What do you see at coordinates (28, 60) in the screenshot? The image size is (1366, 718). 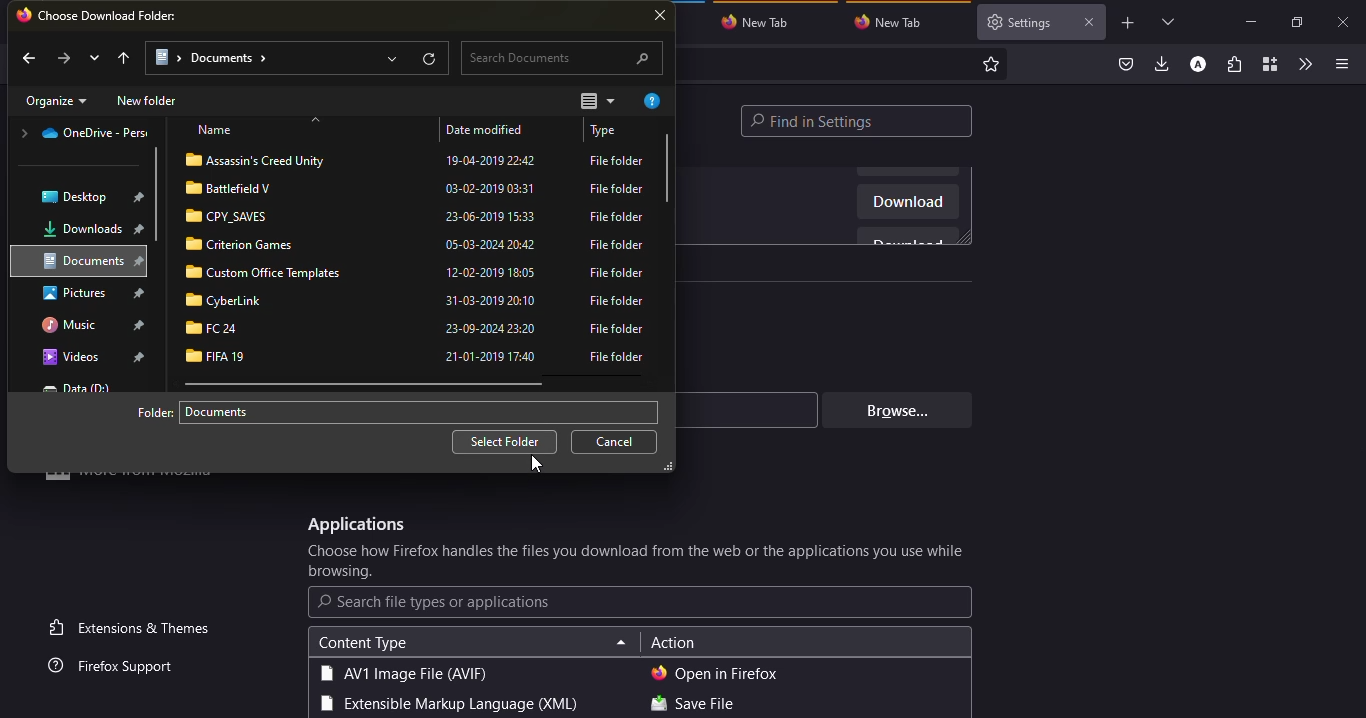 I see `back` at bounding box center [28, 60].